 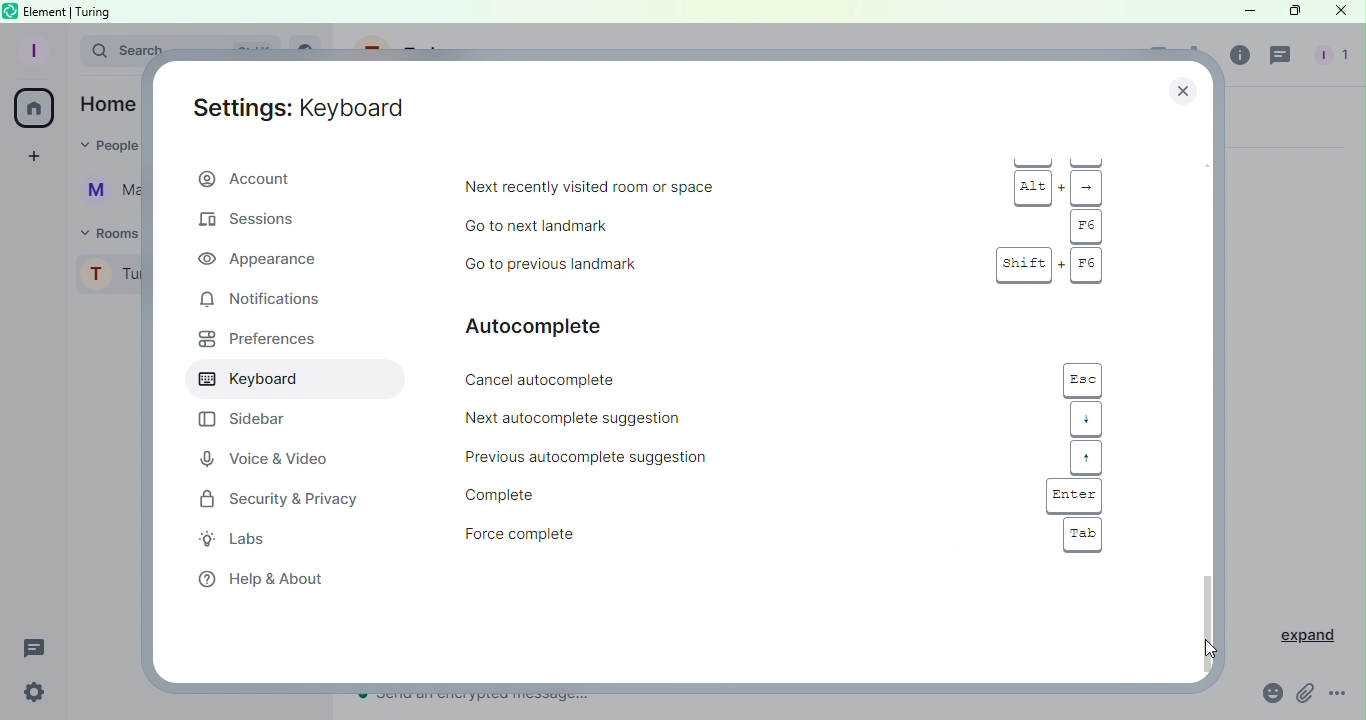 What do you see at coordinates (1329, 57) in the screenshot?
I see `People` at bounding box center [1329, 57].